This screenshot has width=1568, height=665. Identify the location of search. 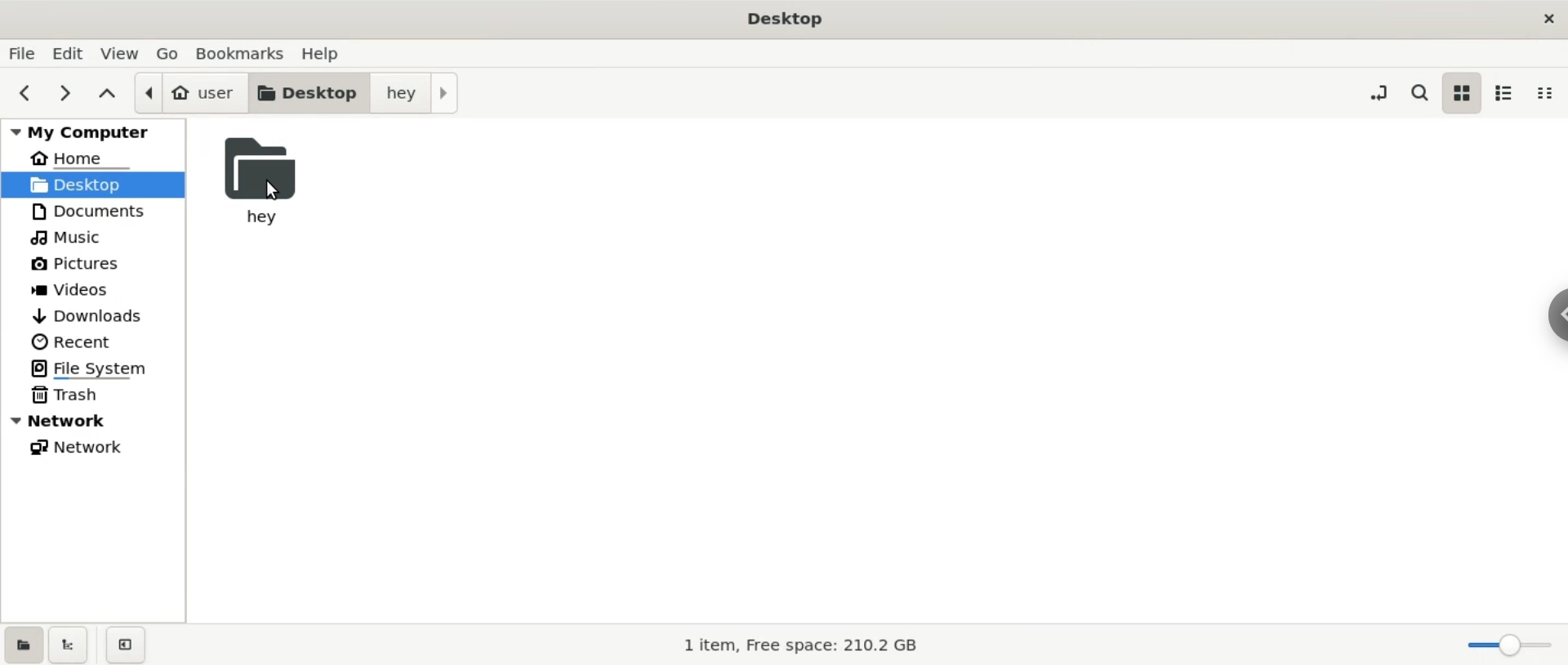
(1418, 92).